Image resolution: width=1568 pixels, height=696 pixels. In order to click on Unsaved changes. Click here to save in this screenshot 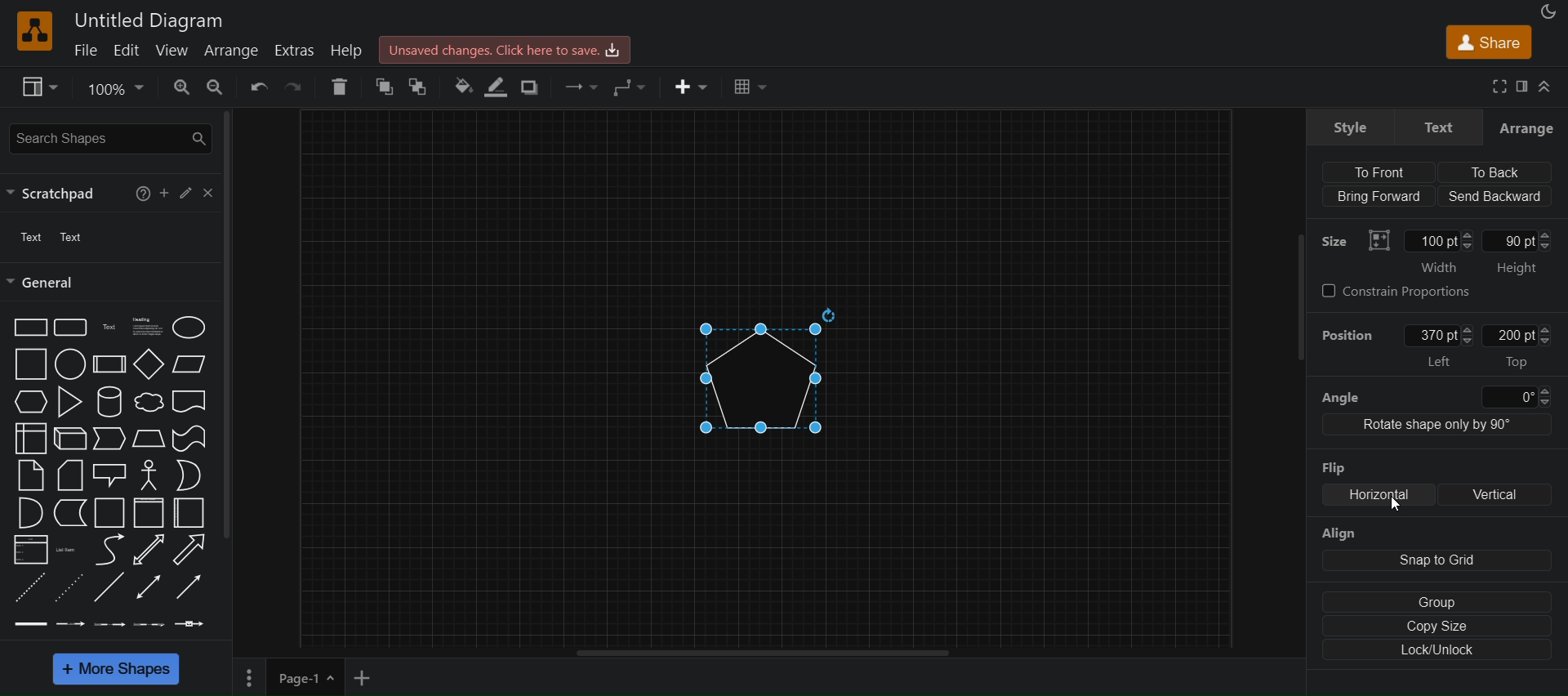, I will do `click(505, 50)`.